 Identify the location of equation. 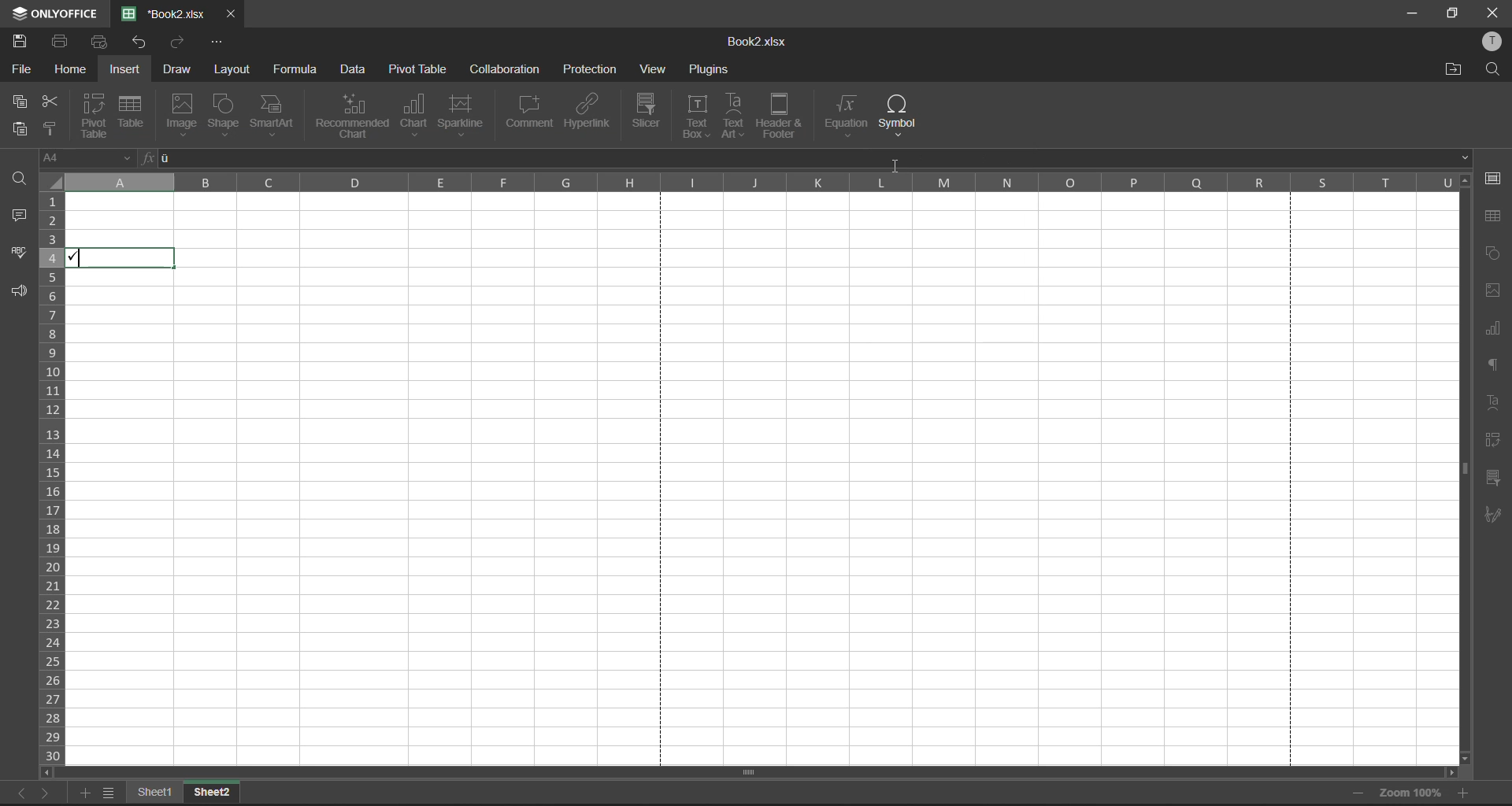
(847, 115).